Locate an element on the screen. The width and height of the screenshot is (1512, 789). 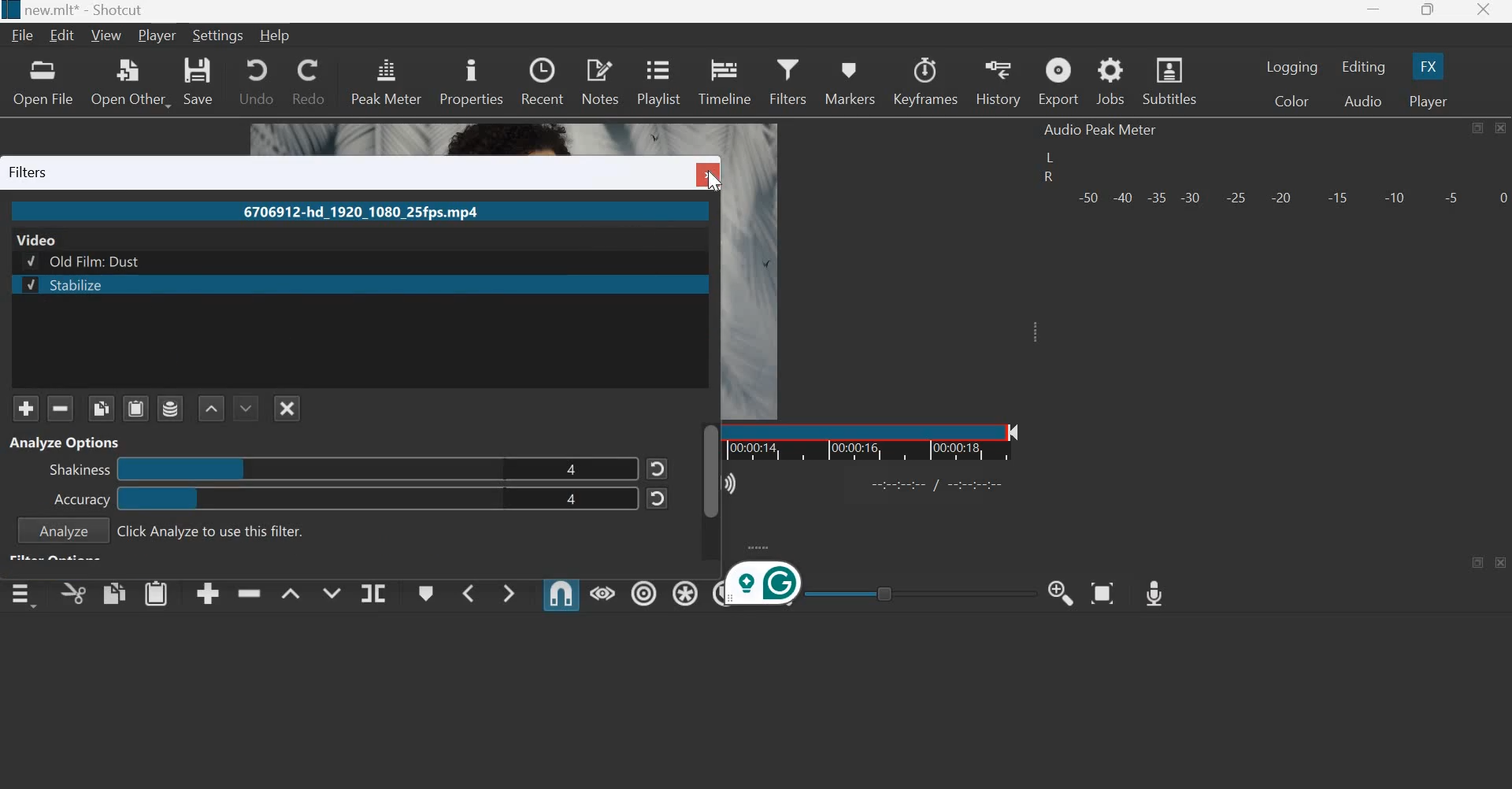
Right is located at coordinates (1047, 178).